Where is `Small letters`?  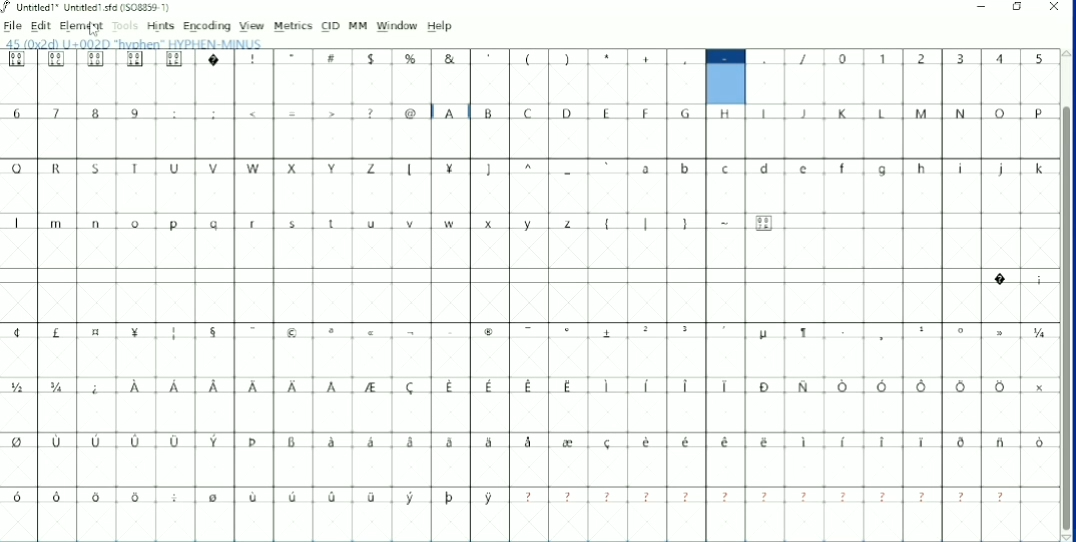 Small letters is located at coordinates (292, 224).